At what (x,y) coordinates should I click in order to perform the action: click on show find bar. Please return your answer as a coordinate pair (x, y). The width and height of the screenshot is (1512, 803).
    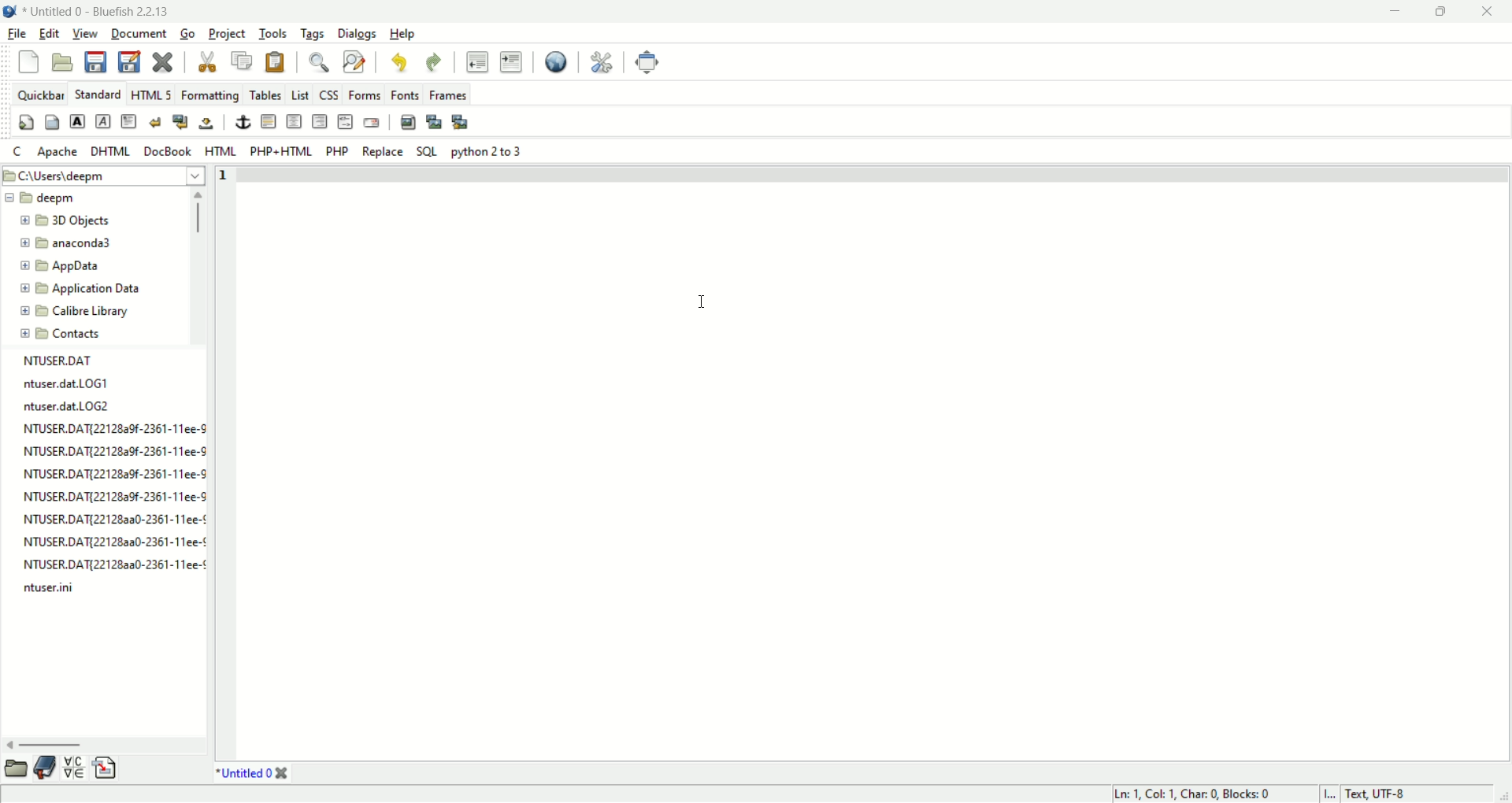
    Looking at the image, I should click on (320, 61).